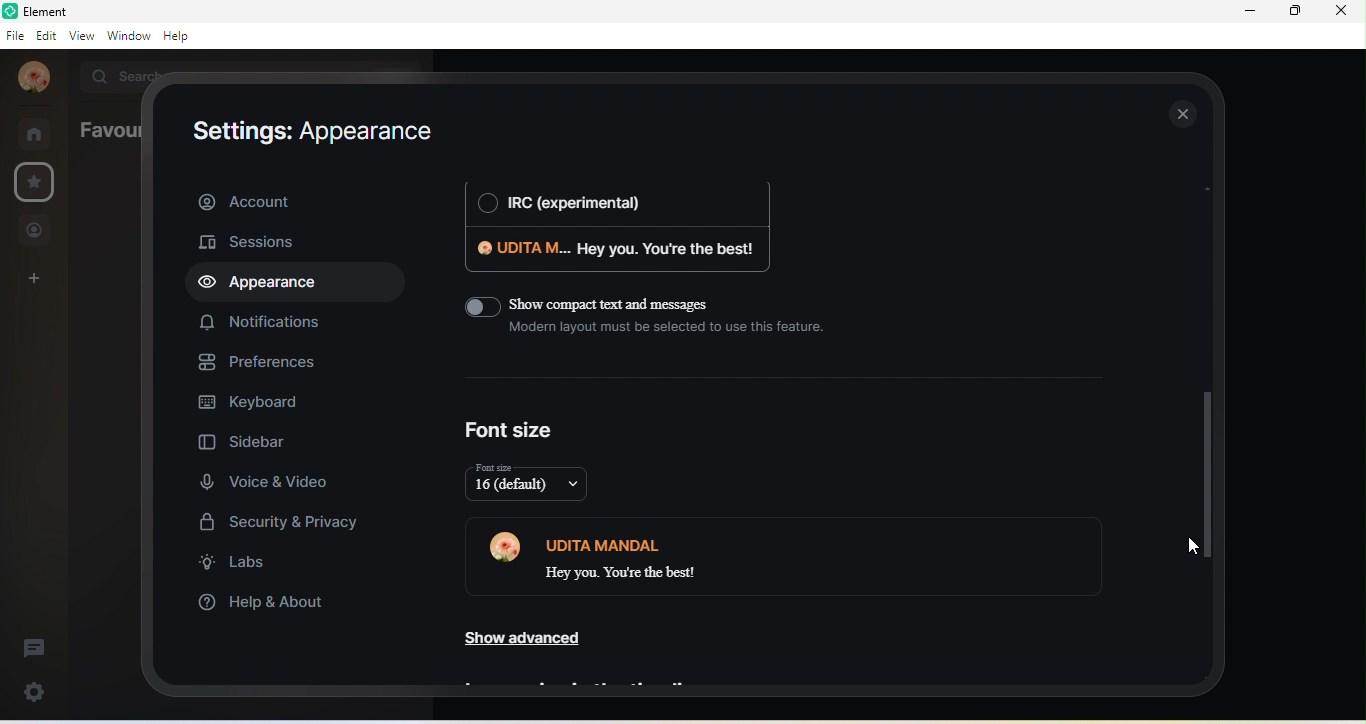  What do you see at coordinates (1206, 476) in the screenshot?
I see `drop down scroll bar` at bounding box center [1206, 476].